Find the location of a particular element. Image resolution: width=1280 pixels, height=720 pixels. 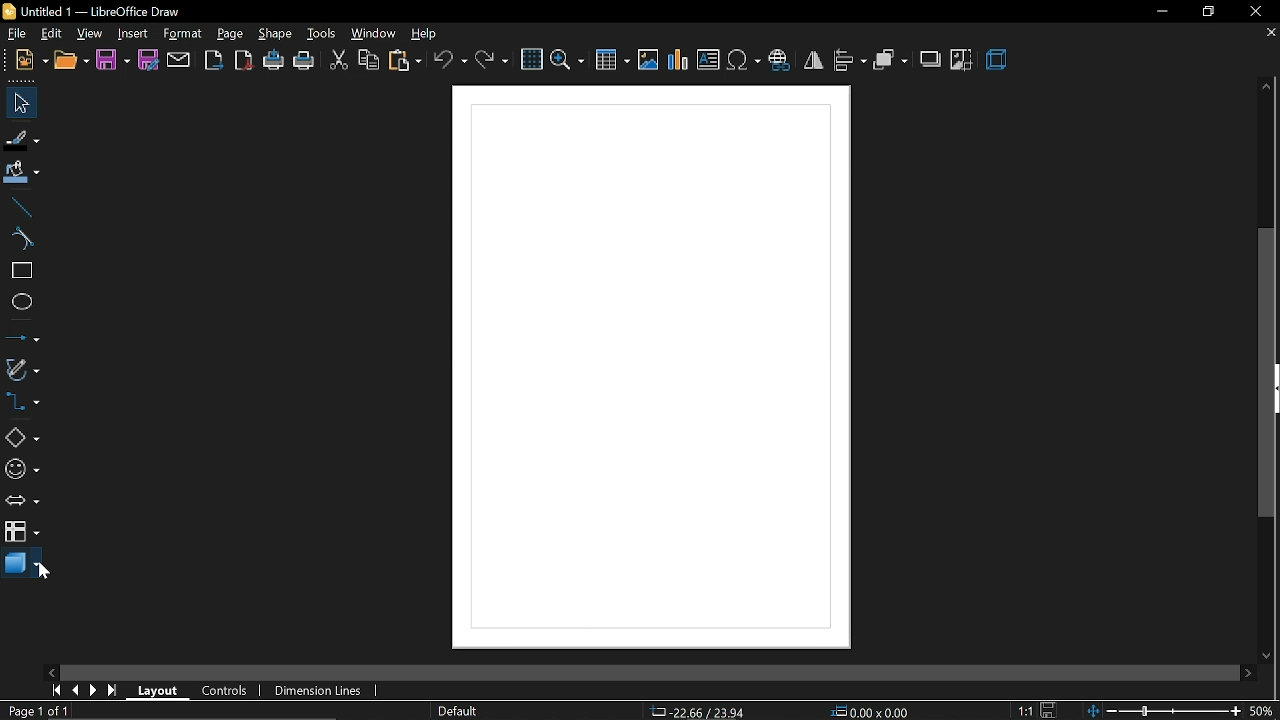

next page  is located at coordinates (96, 689).